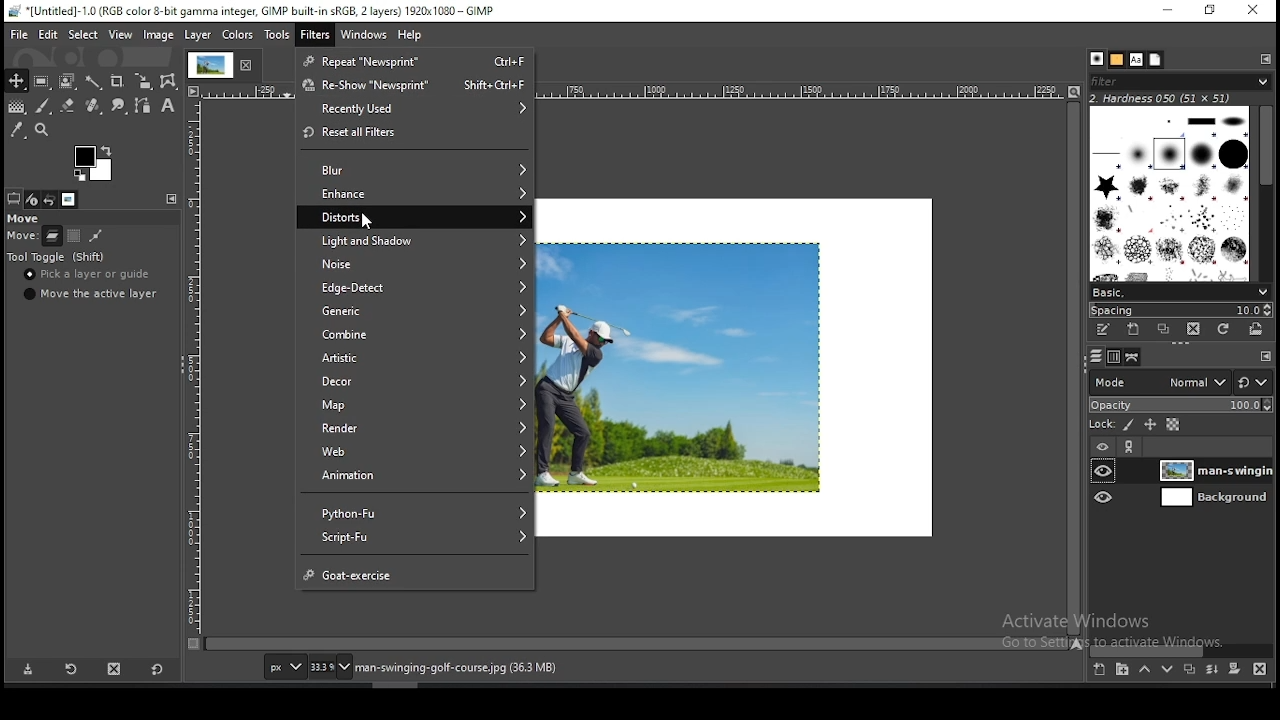  Describe the element at coordinates (417, 312) in the screenshot. I see `generic` at that location.